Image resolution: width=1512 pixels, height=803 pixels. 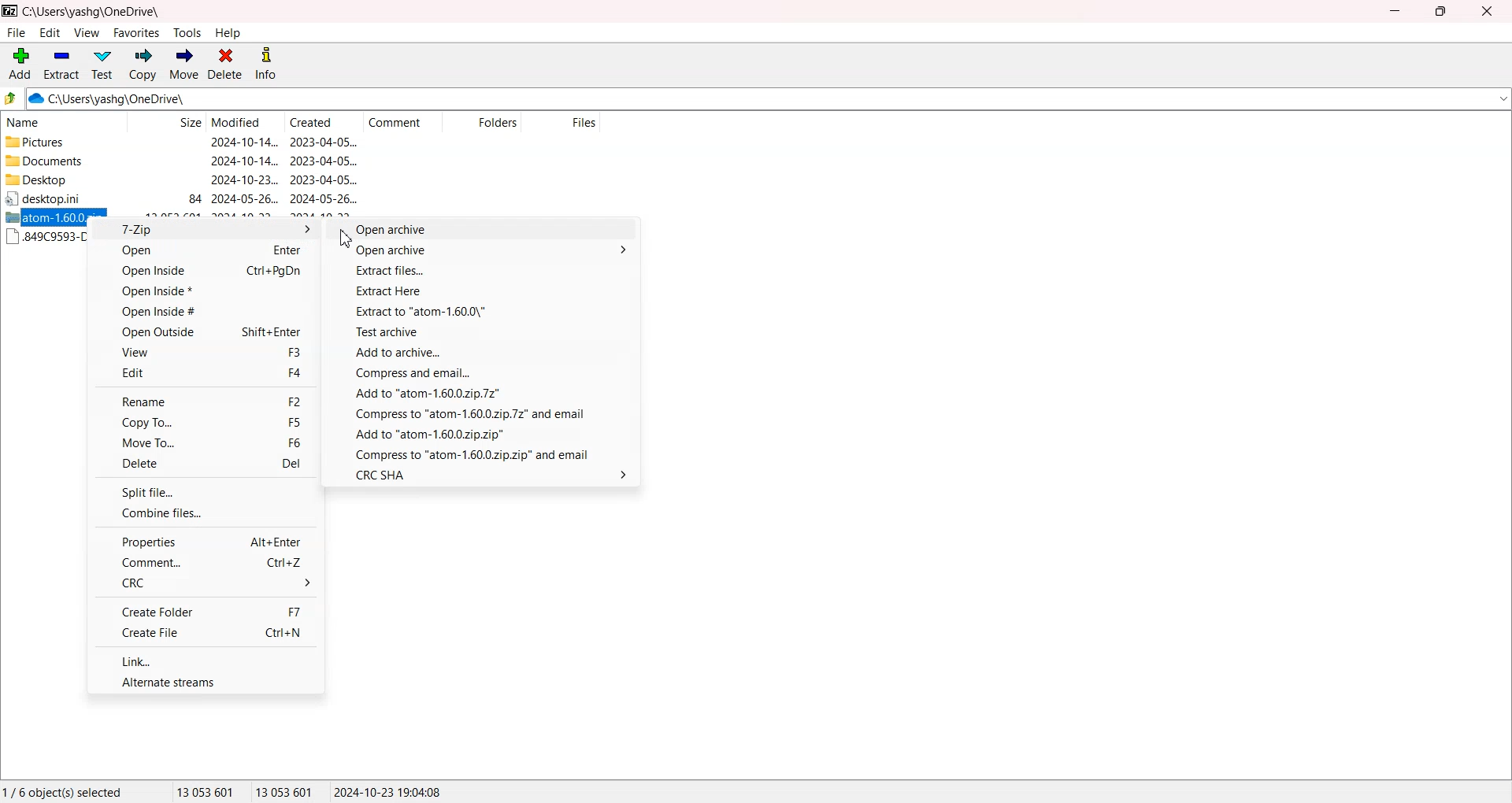 I want to click on Test, so click(x=102, y=65).